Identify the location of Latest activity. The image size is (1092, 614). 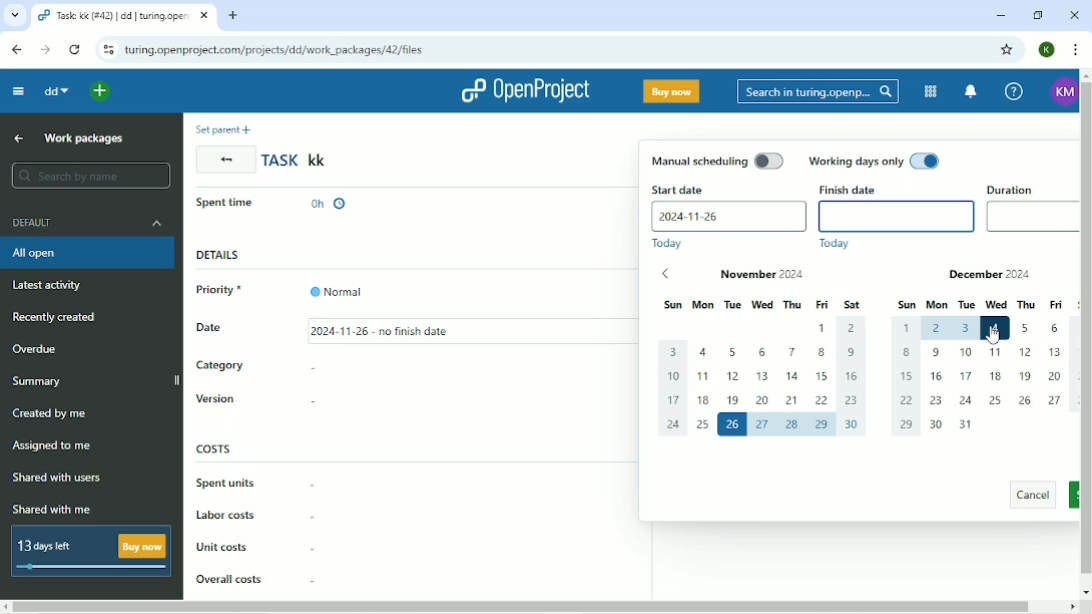
(51, 287).